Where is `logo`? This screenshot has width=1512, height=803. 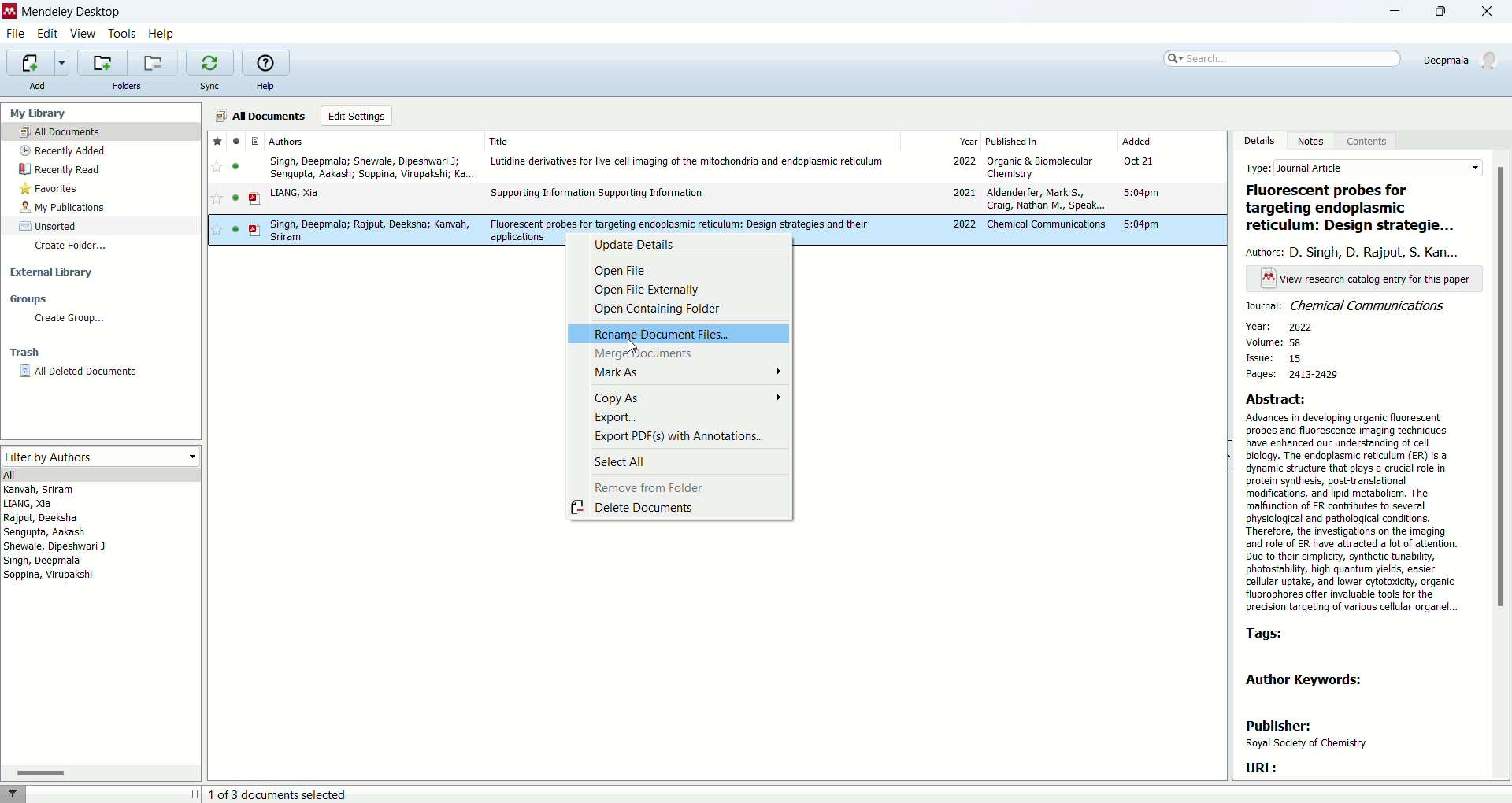
logo is located at coordinates (9, 10).